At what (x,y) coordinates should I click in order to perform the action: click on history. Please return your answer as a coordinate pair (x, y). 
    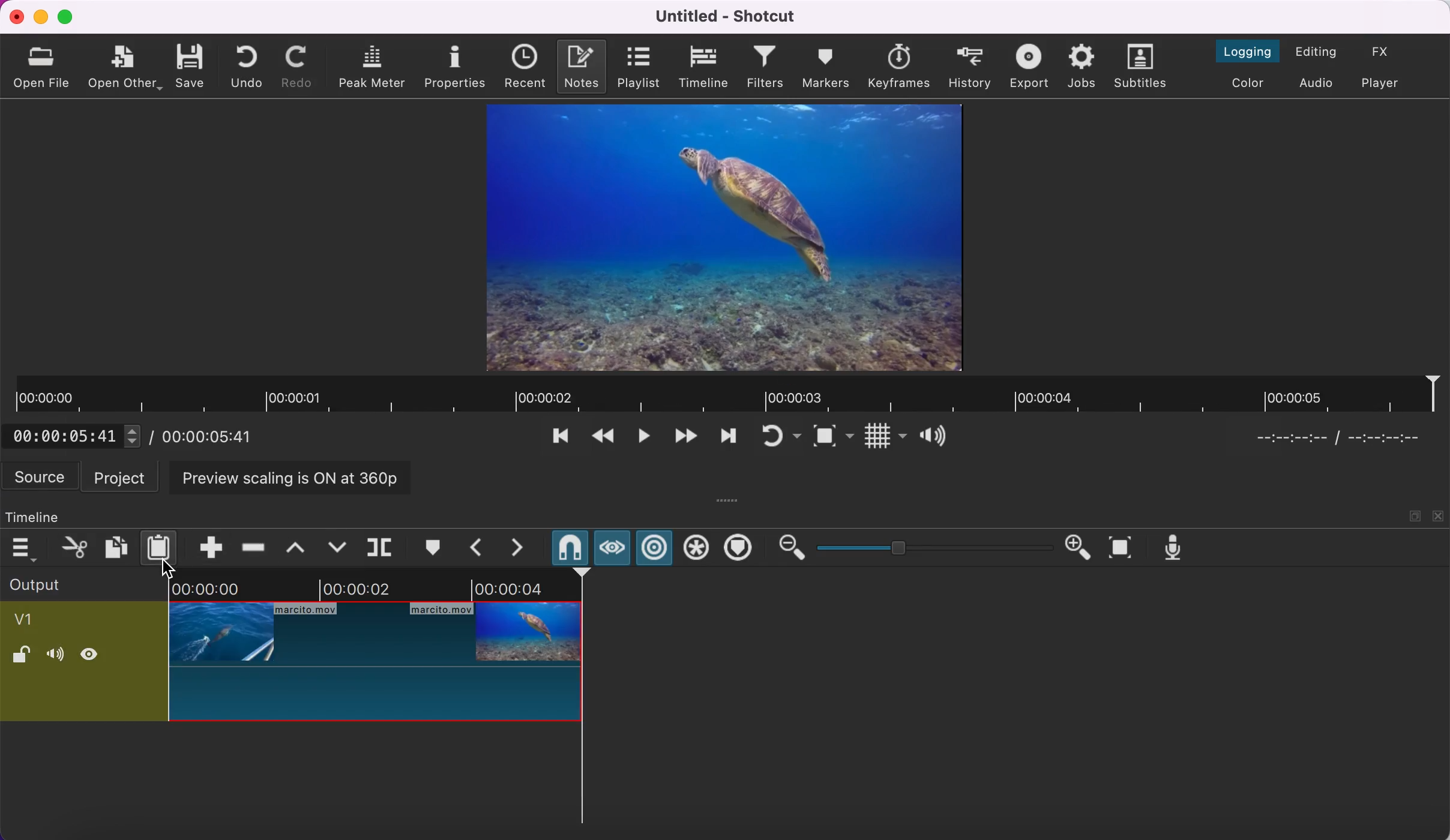
    Looking at the image, I should click on (970, 64).